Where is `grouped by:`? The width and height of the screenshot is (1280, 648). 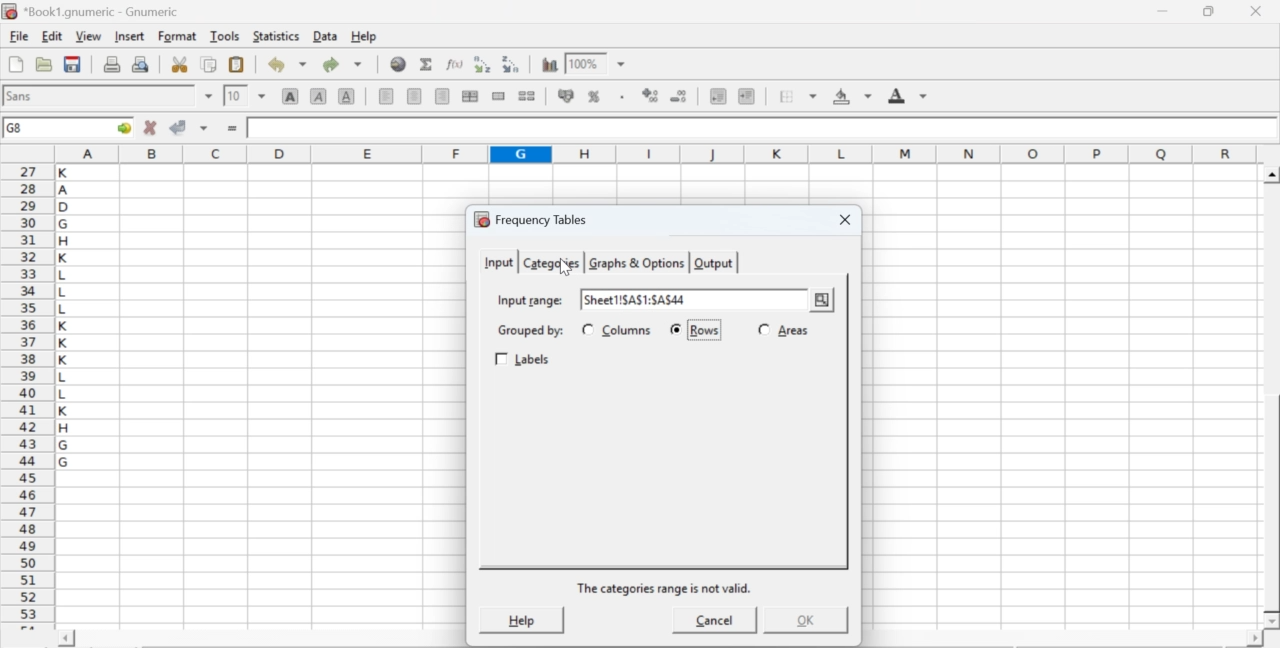
grouped by: is located at coordinates (529, 331).